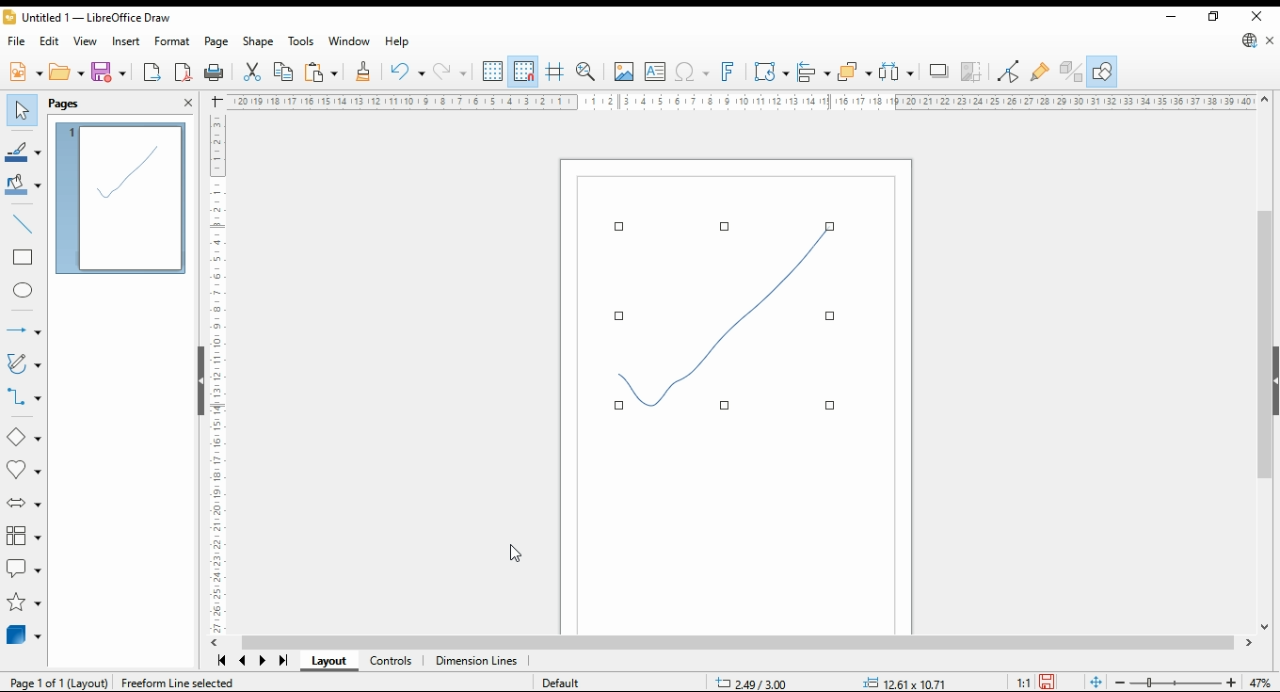 The width and height of the screenshot is (1280, 692). Describe the element at coordinates (23, 568) in the screenshot. I see `callout shapes` at that location.